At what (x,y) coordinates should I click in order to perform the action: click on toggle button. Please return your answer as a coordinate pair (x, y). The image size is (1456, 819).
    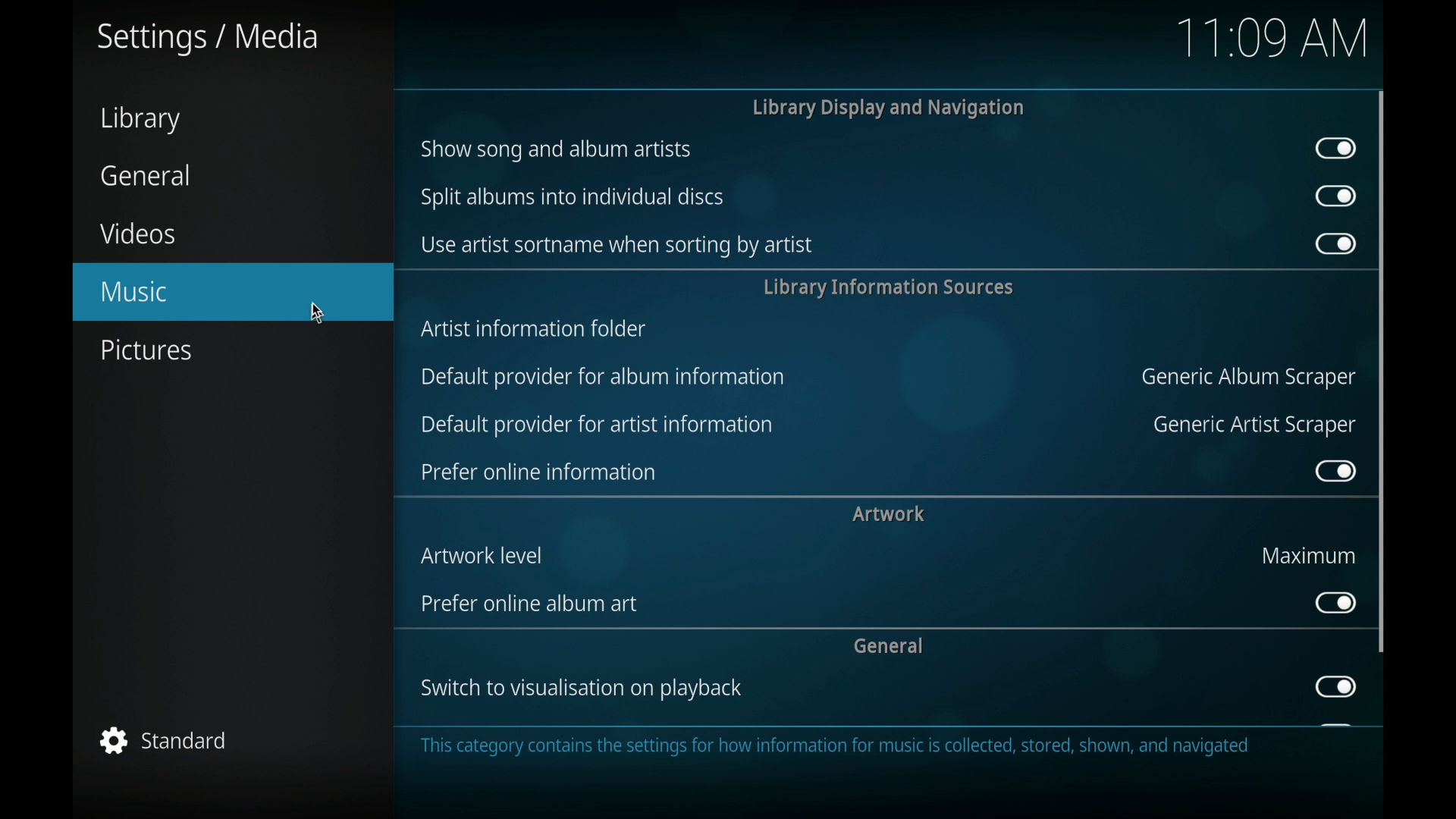
    Looking at the image, I should click on (1335, 470).